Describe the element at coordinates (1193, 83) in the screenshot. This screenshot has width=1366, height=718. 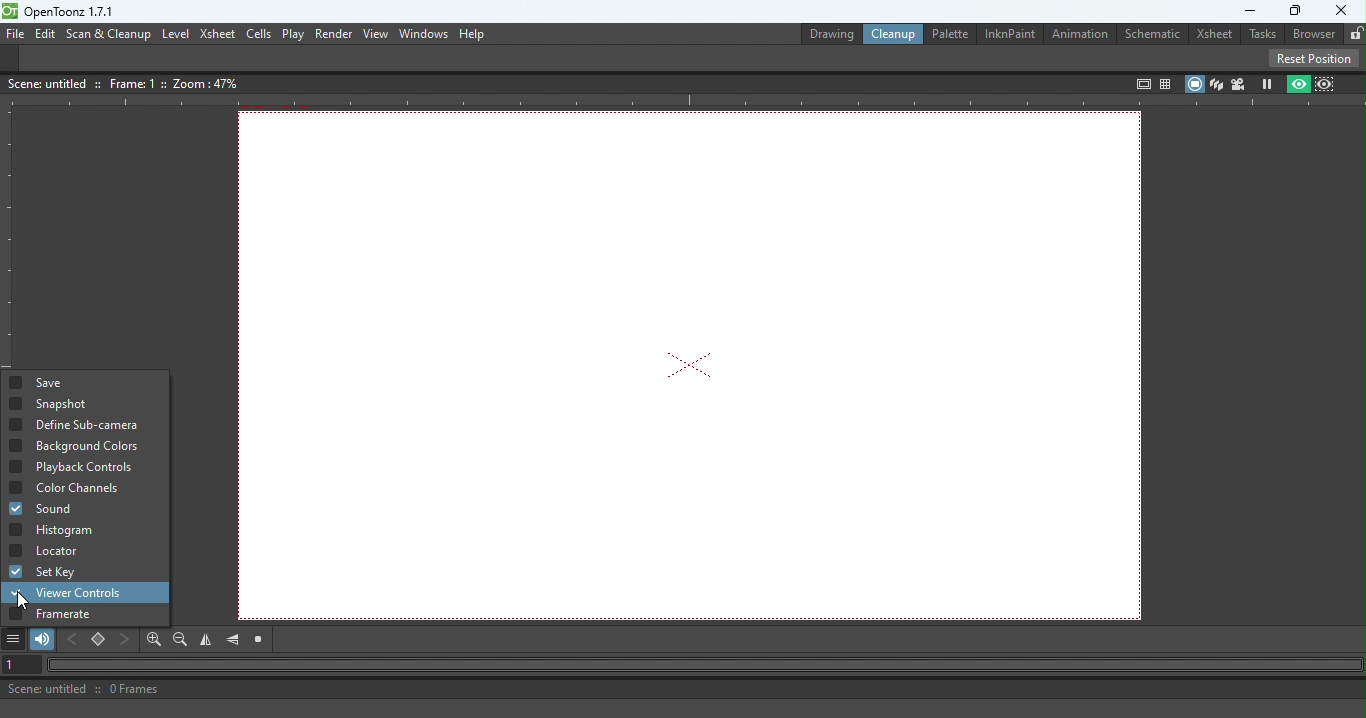
I see `Camera stand view` at that location.